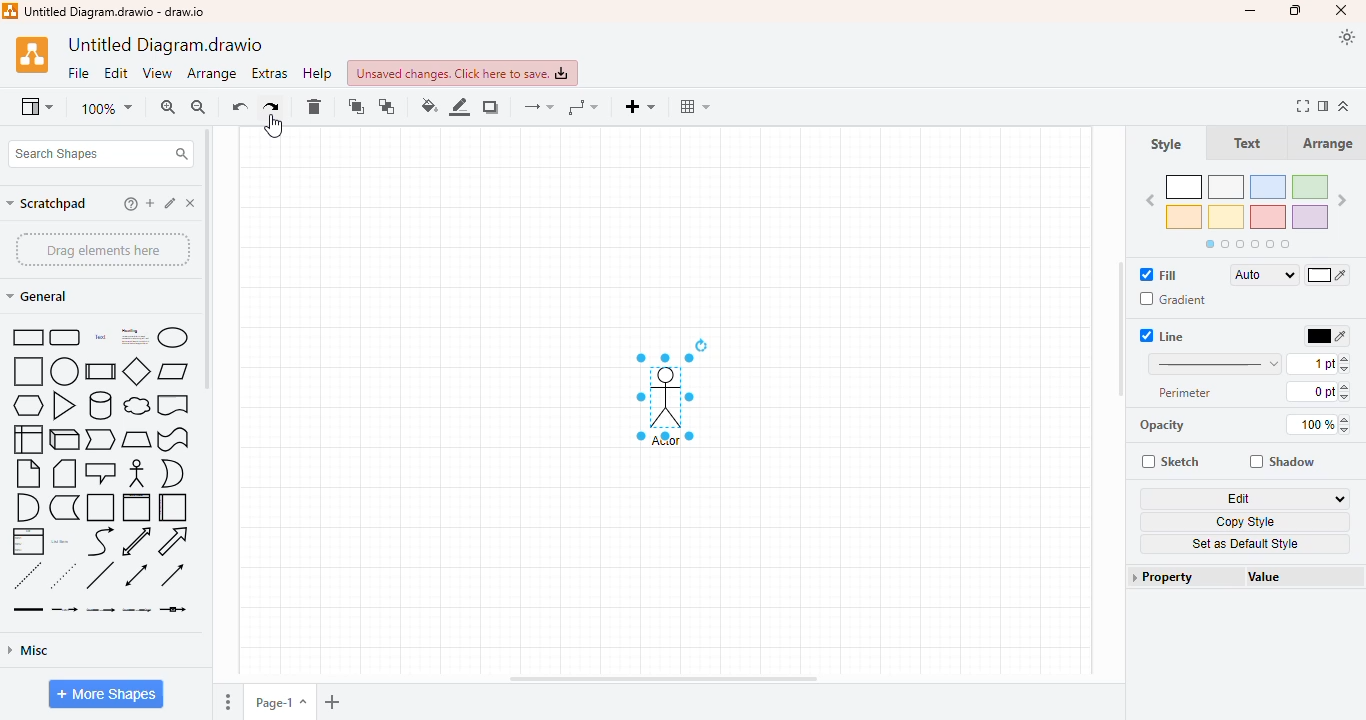 Image resolution: width=1366 pixels, height=720 pixels. Describe the element at coordinates (66, 337) in the screenshot. I see `rounded rectangle` at that location.